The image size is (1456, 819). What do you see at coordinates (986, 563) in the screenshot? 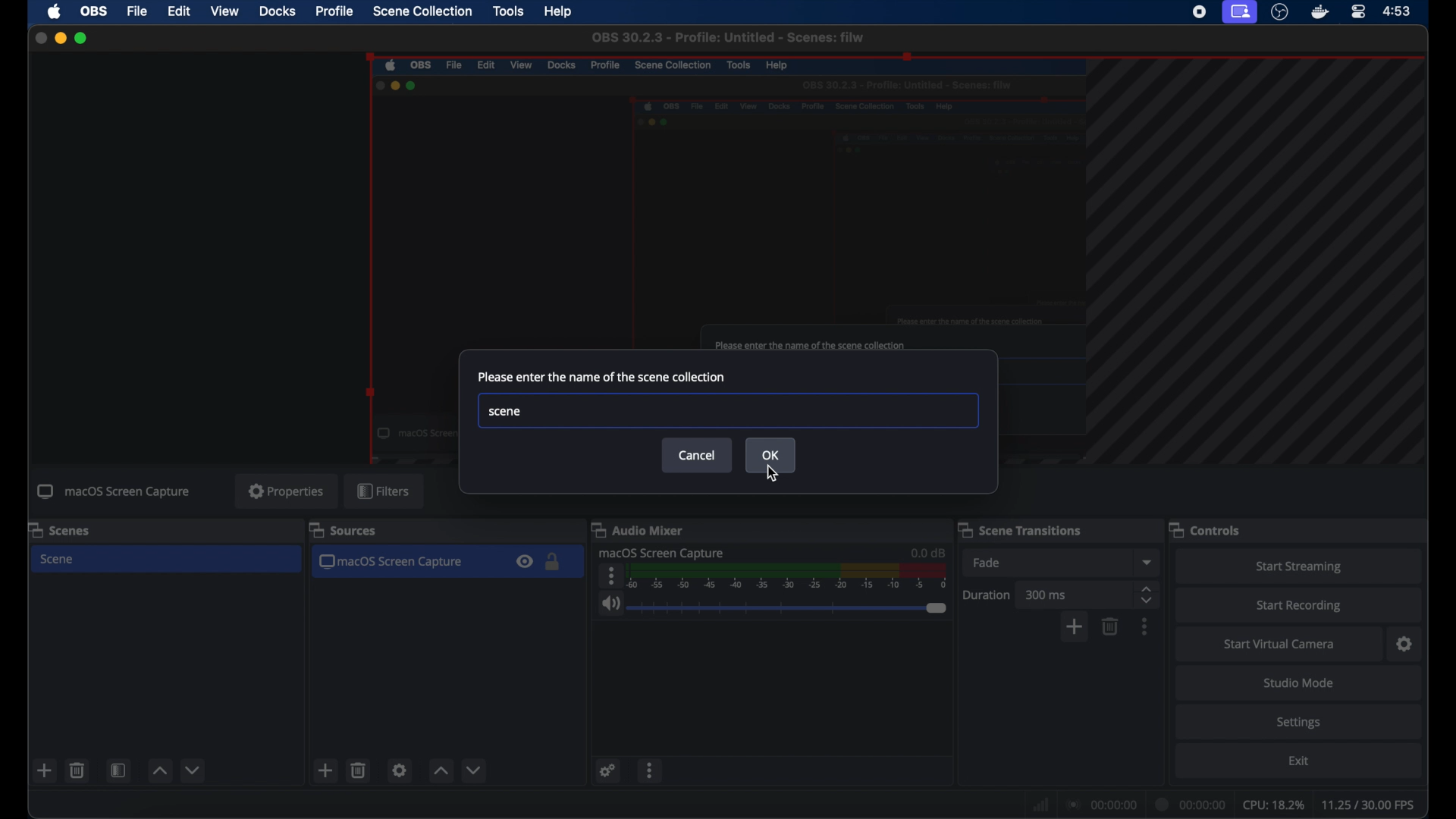
I see `fade` at bounding box center [986, 563].